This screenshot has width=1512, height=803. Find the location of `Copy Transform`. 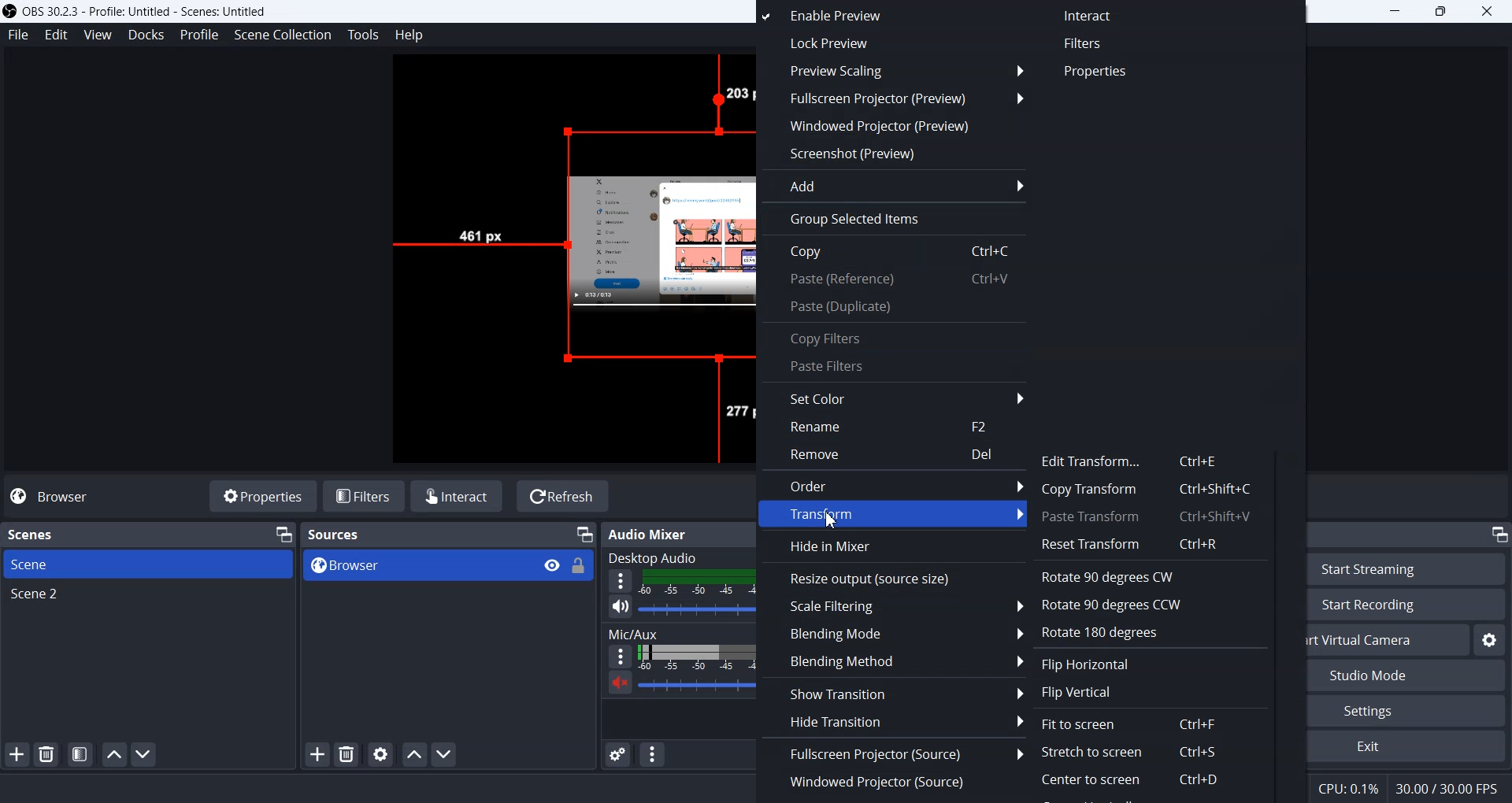

Copy Transform is located at coordinates (1151, 488).